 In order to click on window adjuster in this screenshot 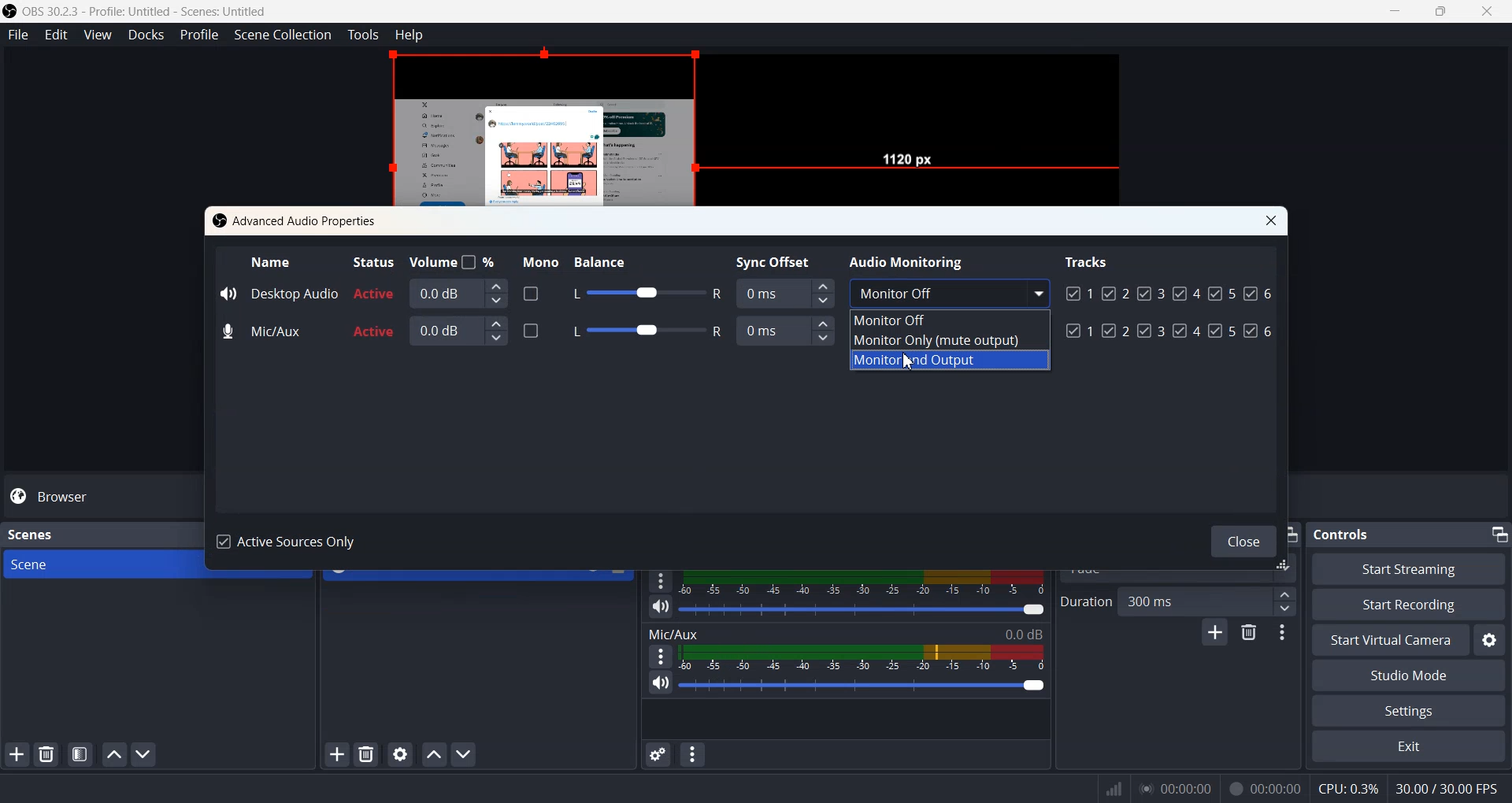, I will do `click(1285, 566)`.